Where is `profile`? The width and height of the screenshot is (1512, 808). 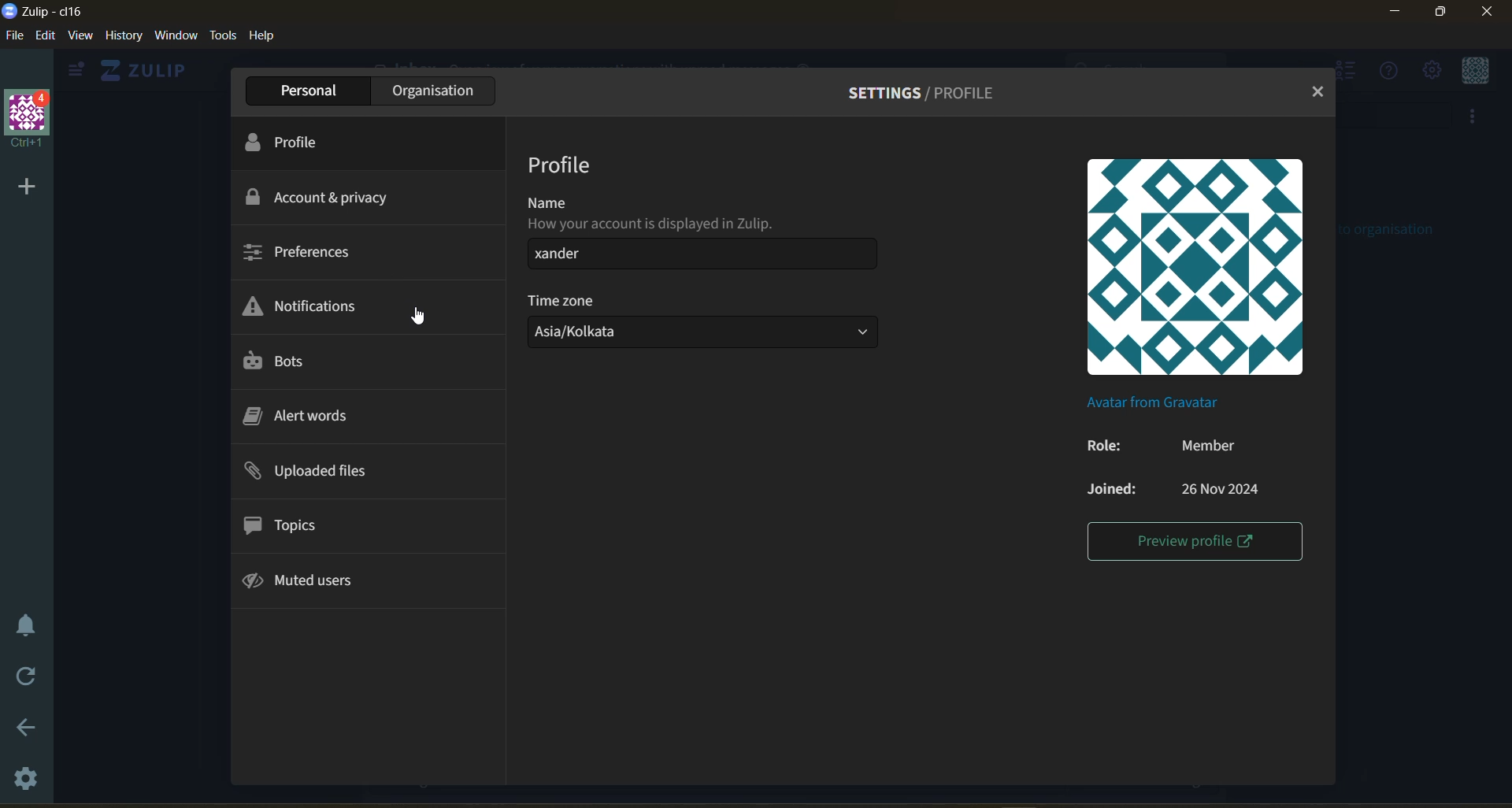
profile is located at coordinates (298, 142).